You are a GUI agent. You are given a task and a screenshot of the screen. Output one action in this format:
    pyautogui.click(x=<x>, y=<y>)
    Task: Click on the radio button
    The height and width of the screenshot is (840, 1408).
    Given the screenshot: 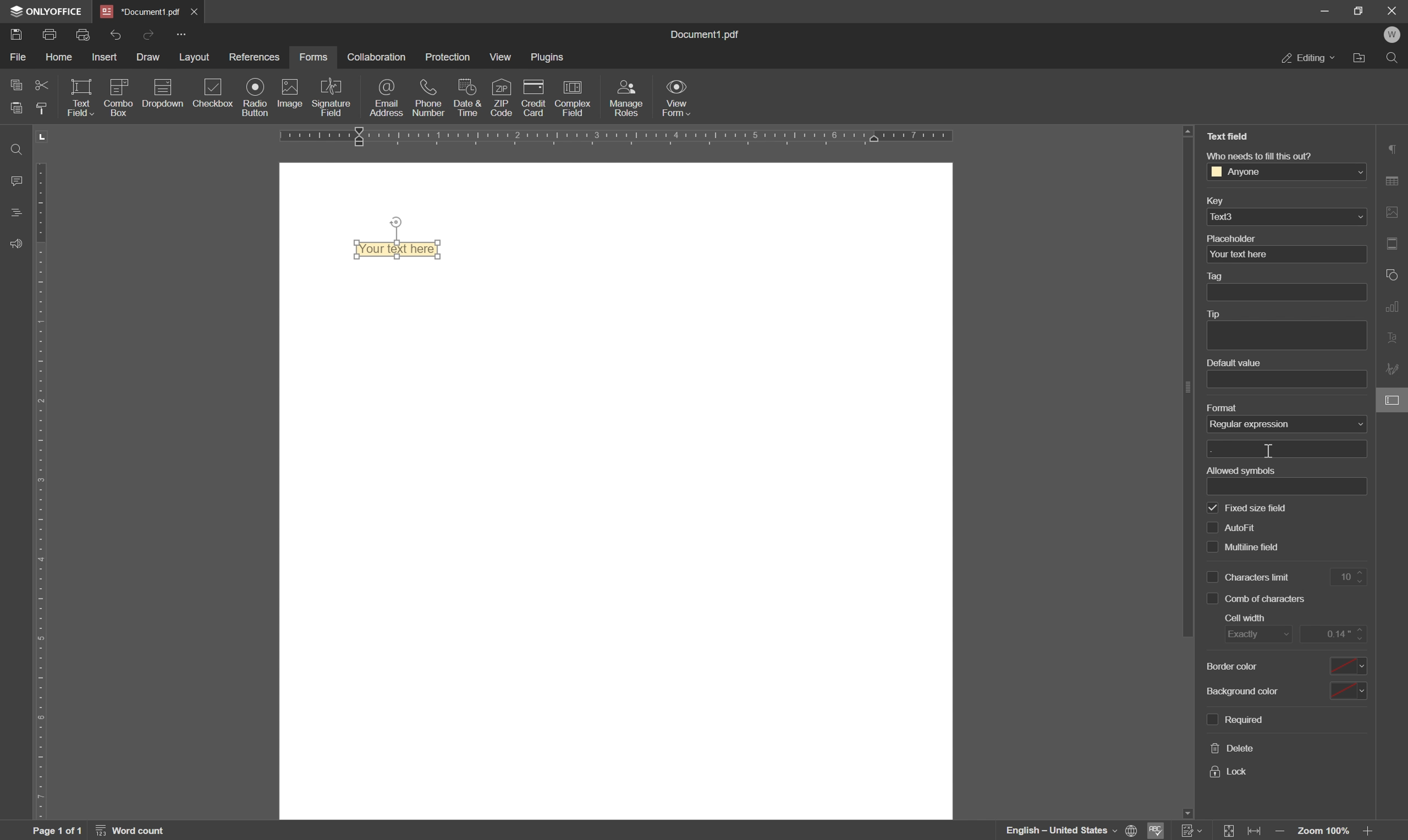 What is the action you would take?
    pyautogui.click(x=253, y=97)
    